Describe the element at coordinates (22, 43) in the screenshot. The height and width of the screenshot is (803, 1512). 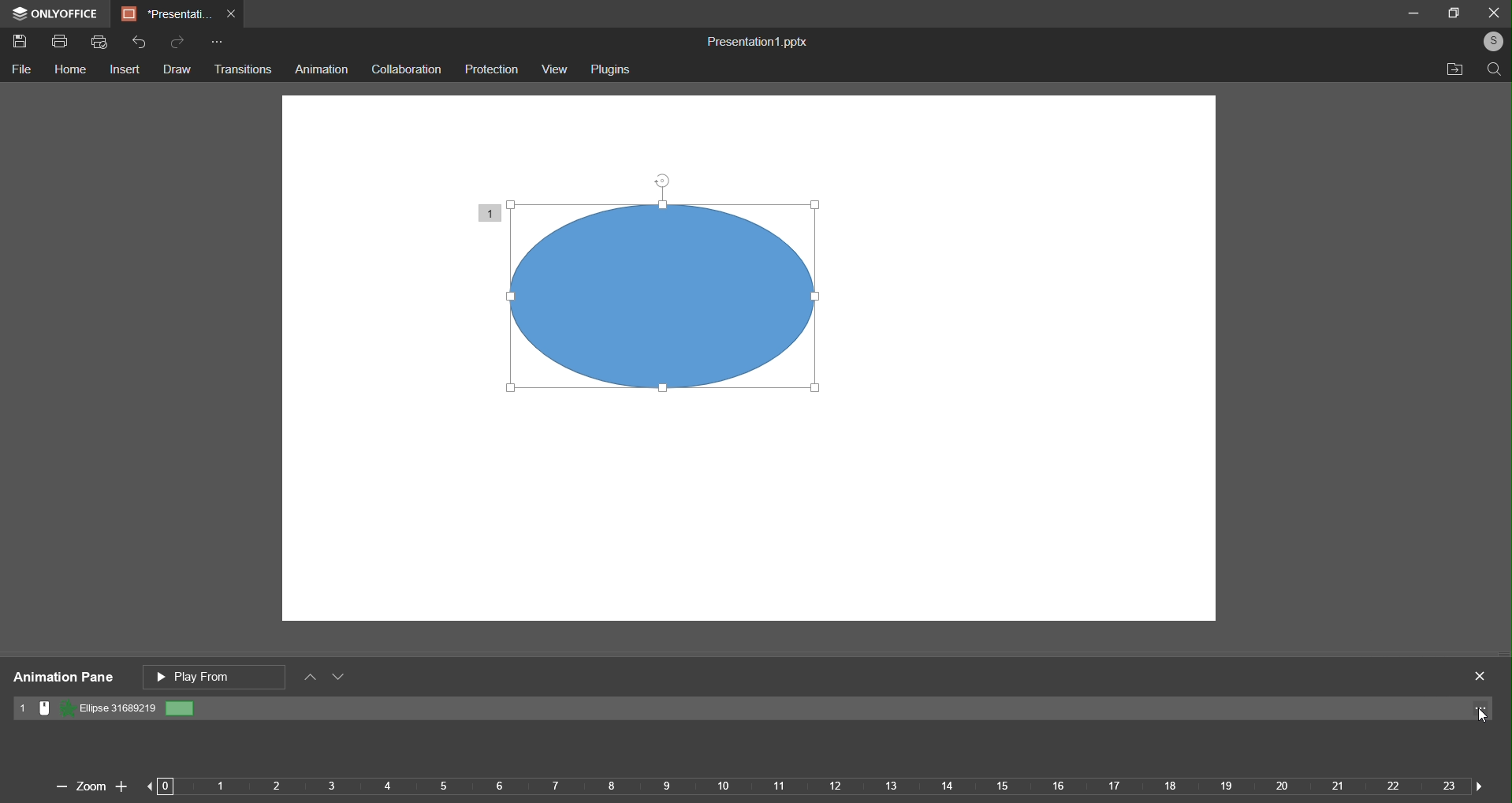
I see `Save` at that location.